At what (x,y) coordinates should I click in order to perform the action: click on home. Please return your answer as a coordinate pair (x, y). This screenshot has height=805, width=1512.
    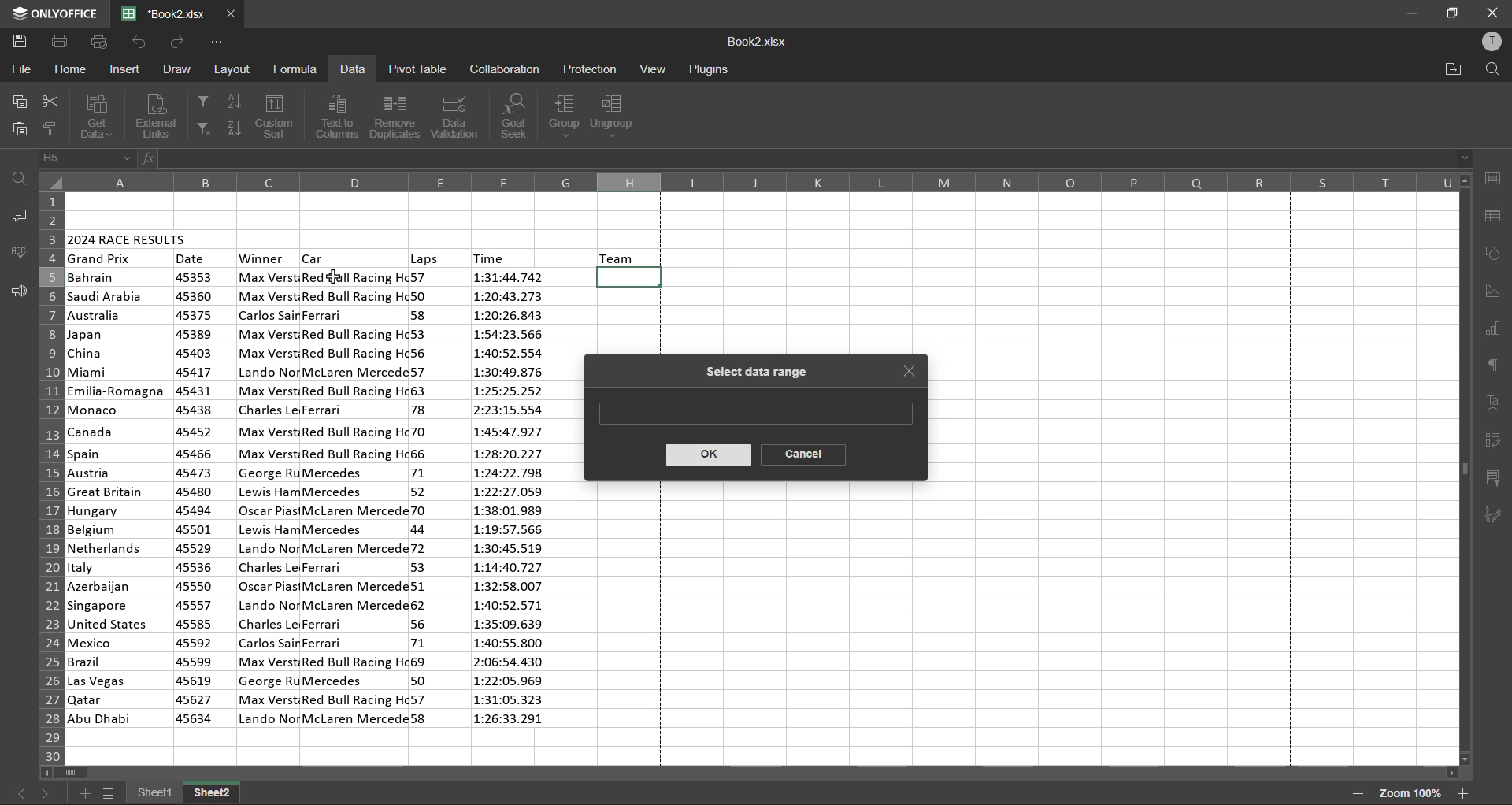
    Looking at the image, I should click on (71, 71).